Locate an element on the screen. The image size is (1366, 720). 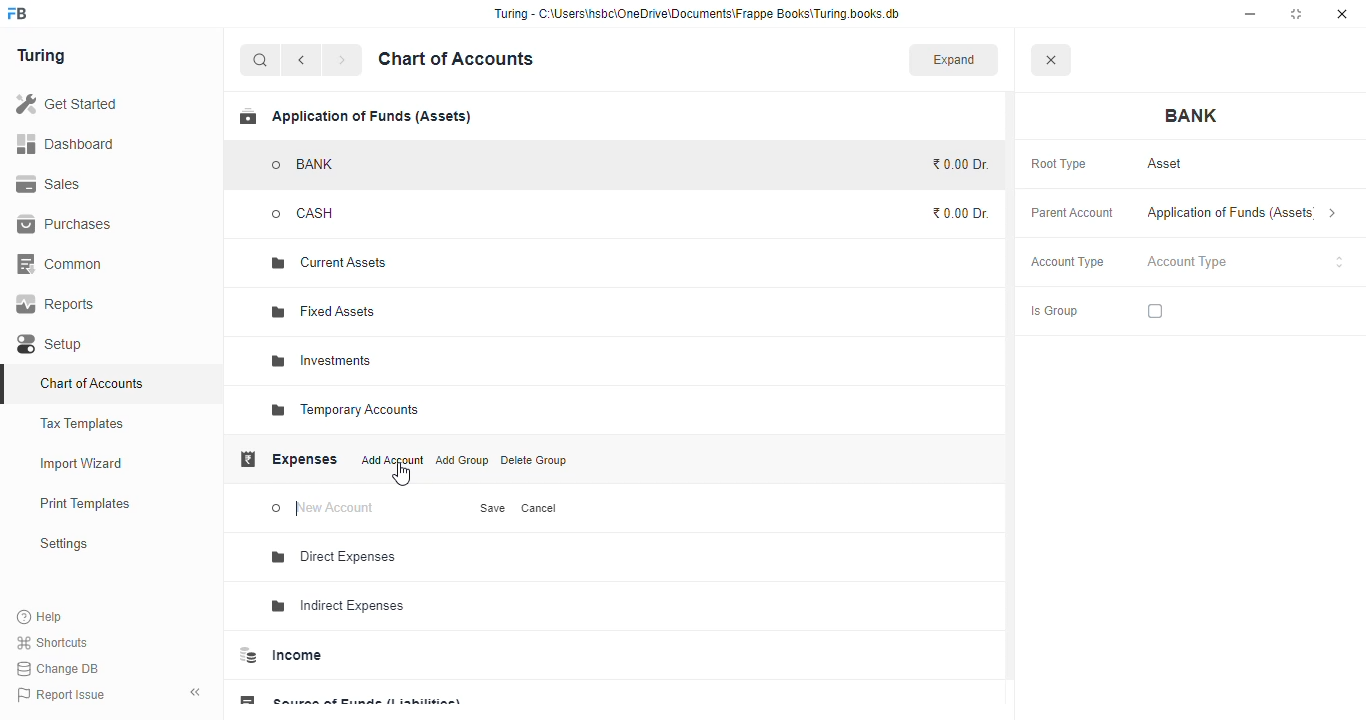
save is located at coordinates (494, 508).